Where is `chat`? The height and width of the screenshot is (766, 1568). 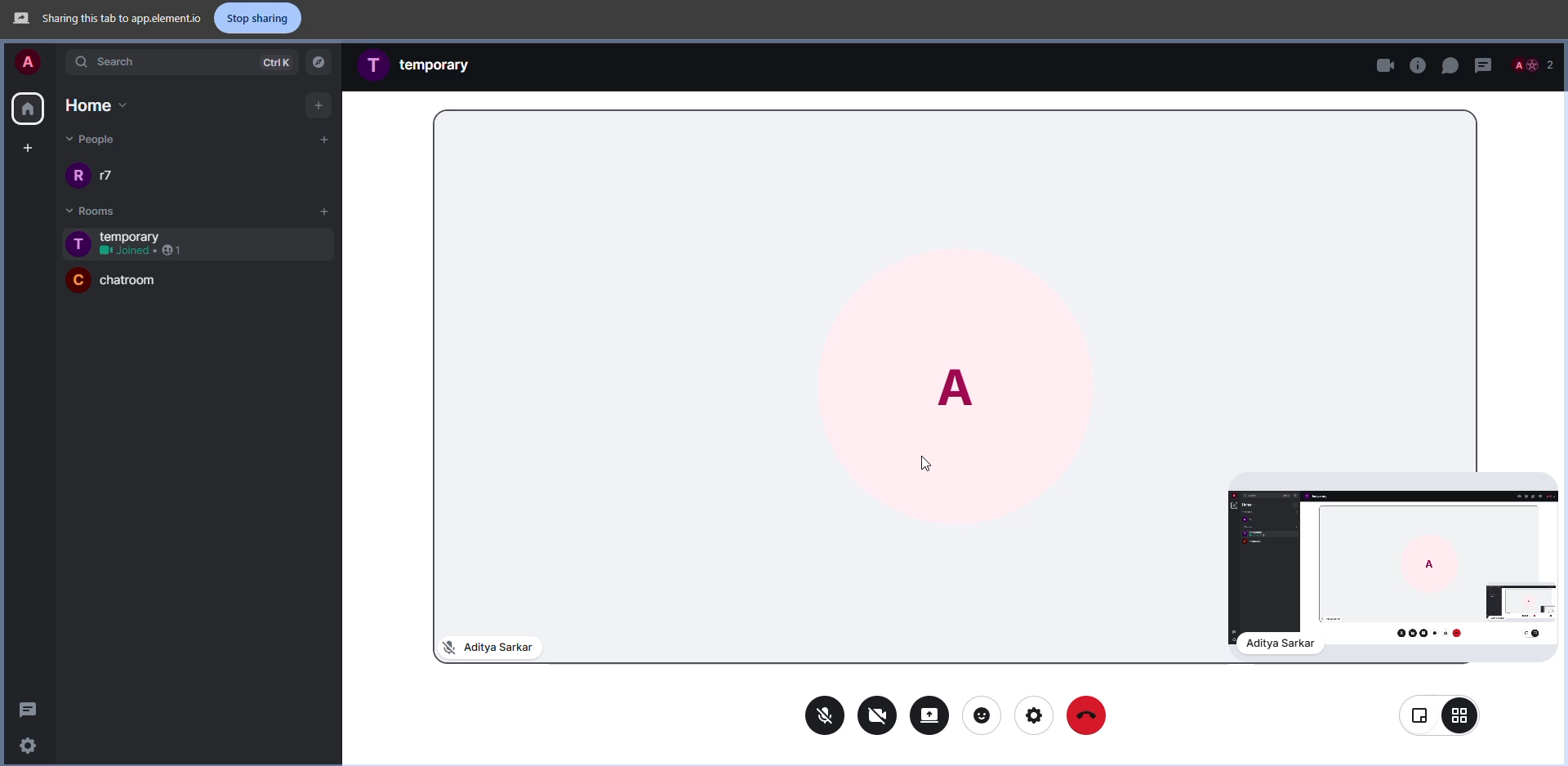 chat is located at coordinates (1451, 65).